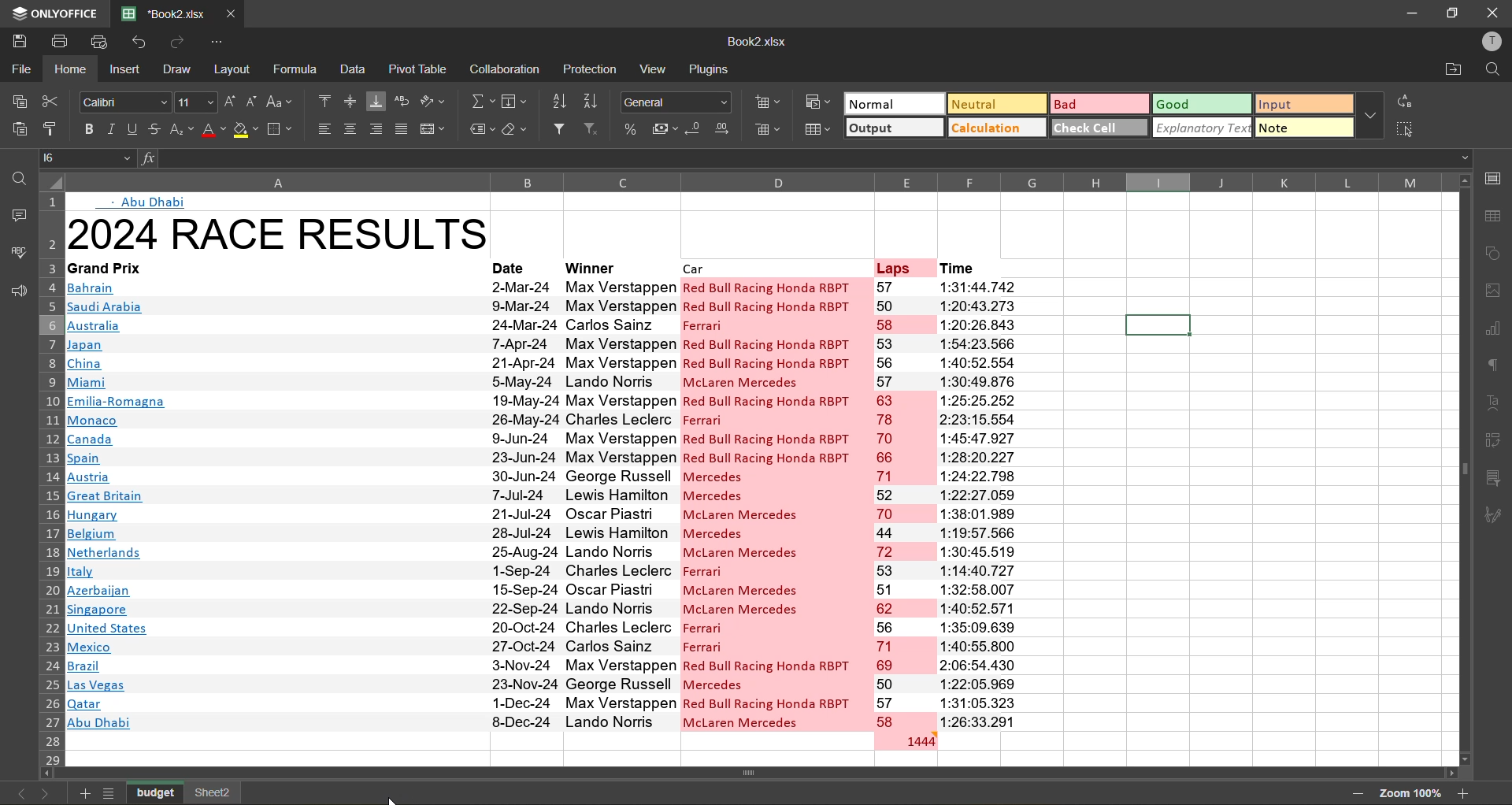  What do you see at coordinates (1497, 332) in the screenshot?
I see `charts` at bounding box center [1497, 332].